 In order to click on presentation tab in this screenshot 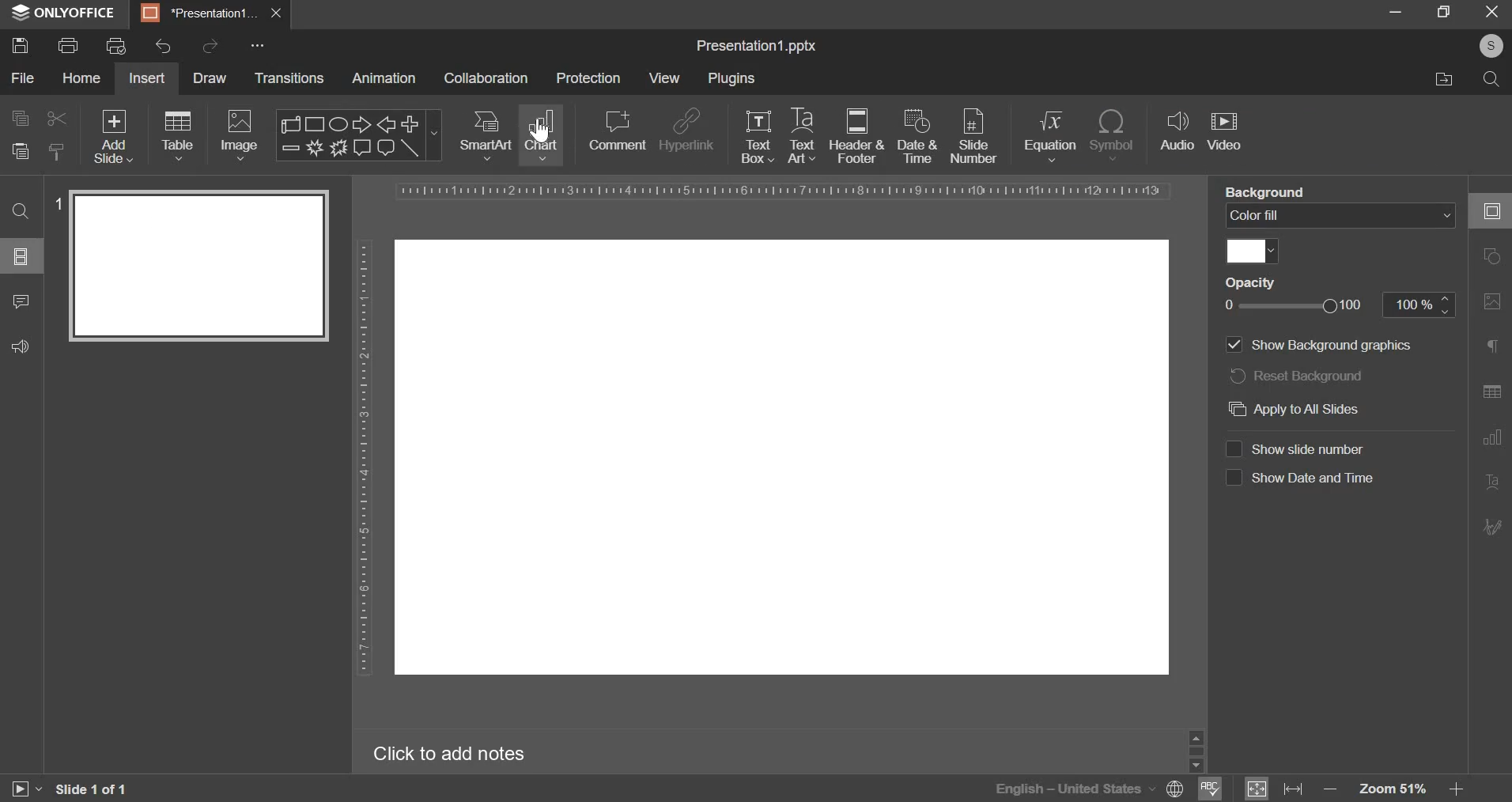, I will do `click(201, 13)`.